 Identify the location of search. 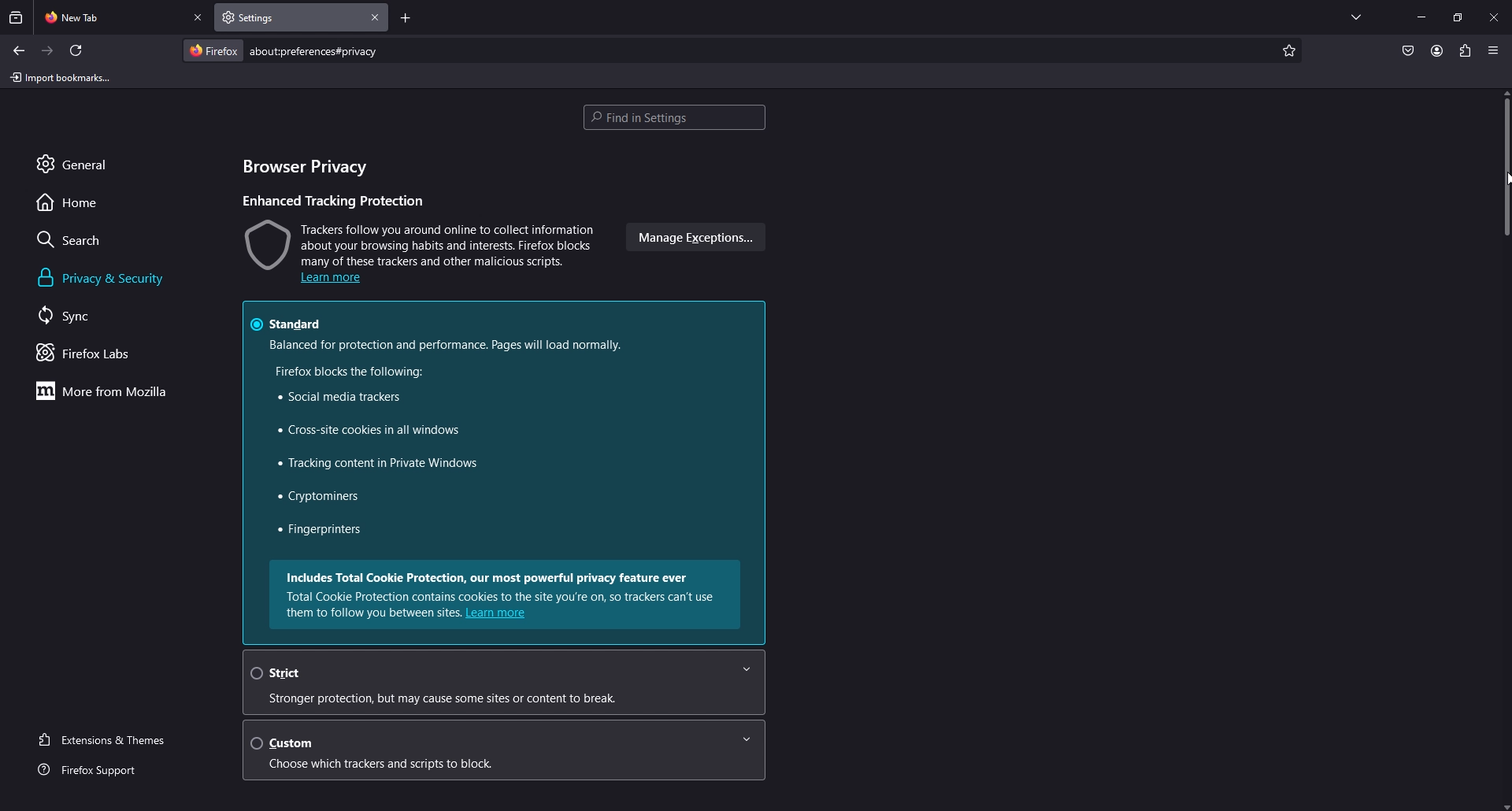
(83, 239).